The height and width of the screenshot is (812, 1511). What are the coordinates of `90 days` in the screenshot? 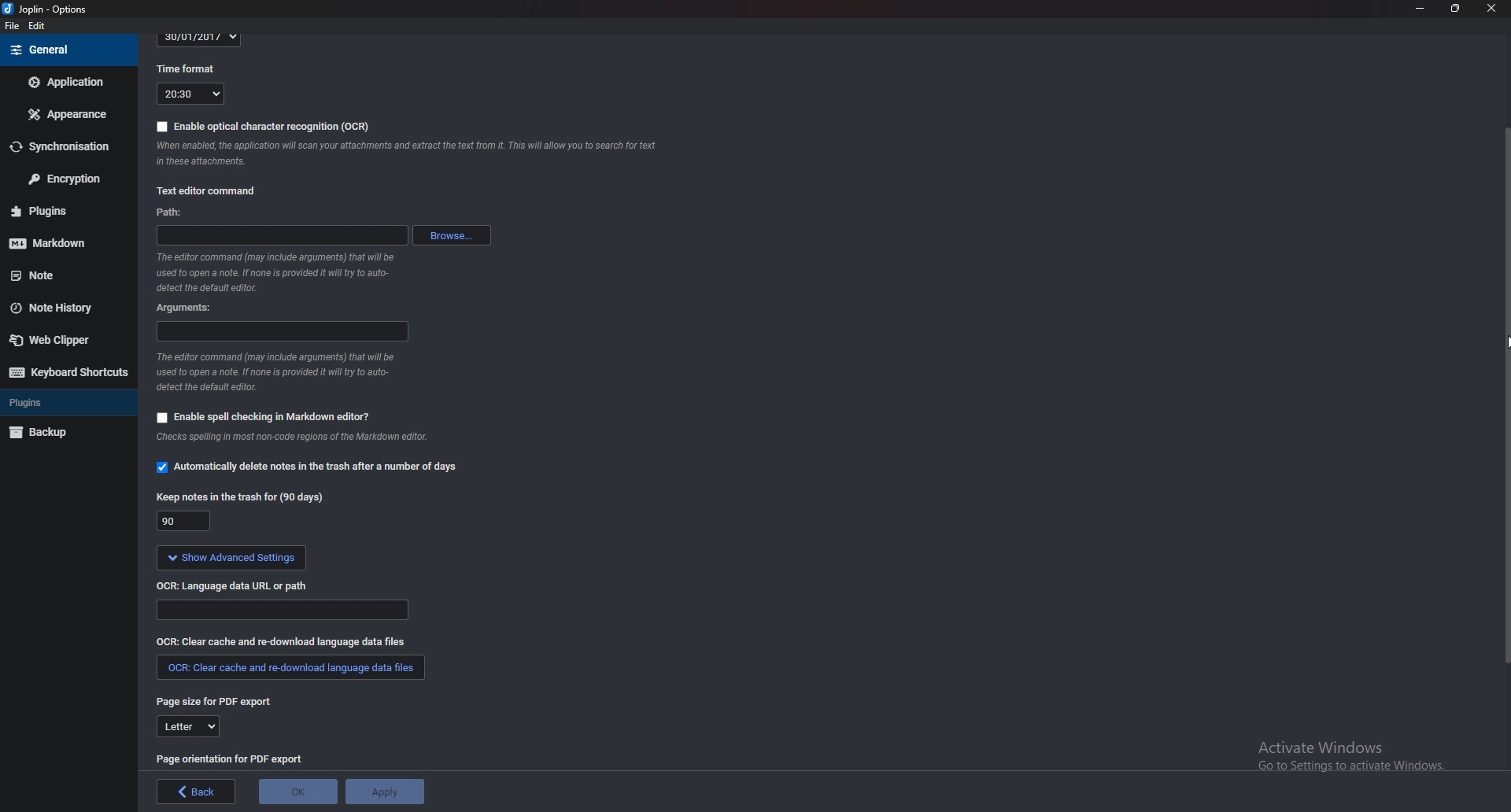 It's located at (185, 522).